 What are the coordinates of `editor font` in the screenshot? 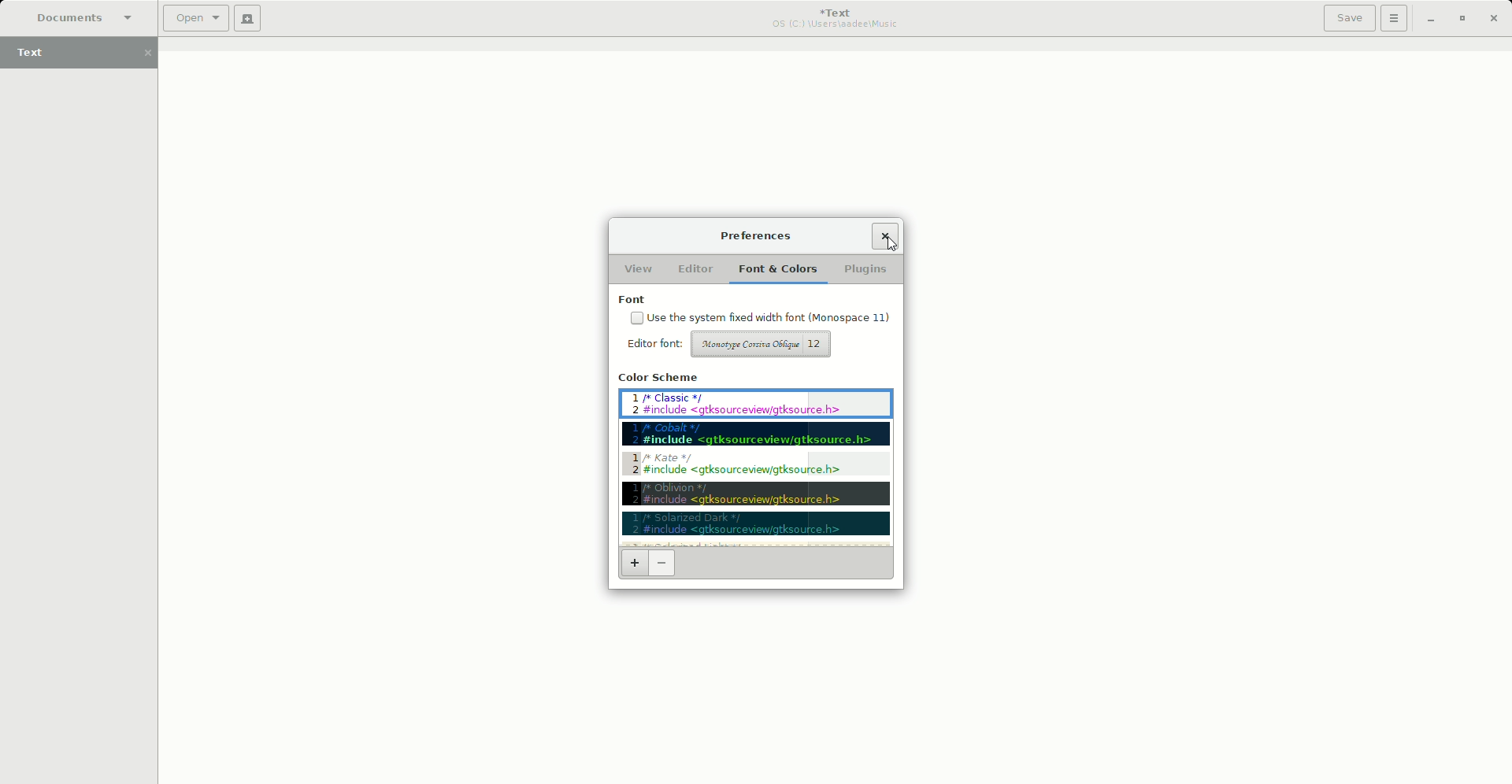 It's located at (651, 342).